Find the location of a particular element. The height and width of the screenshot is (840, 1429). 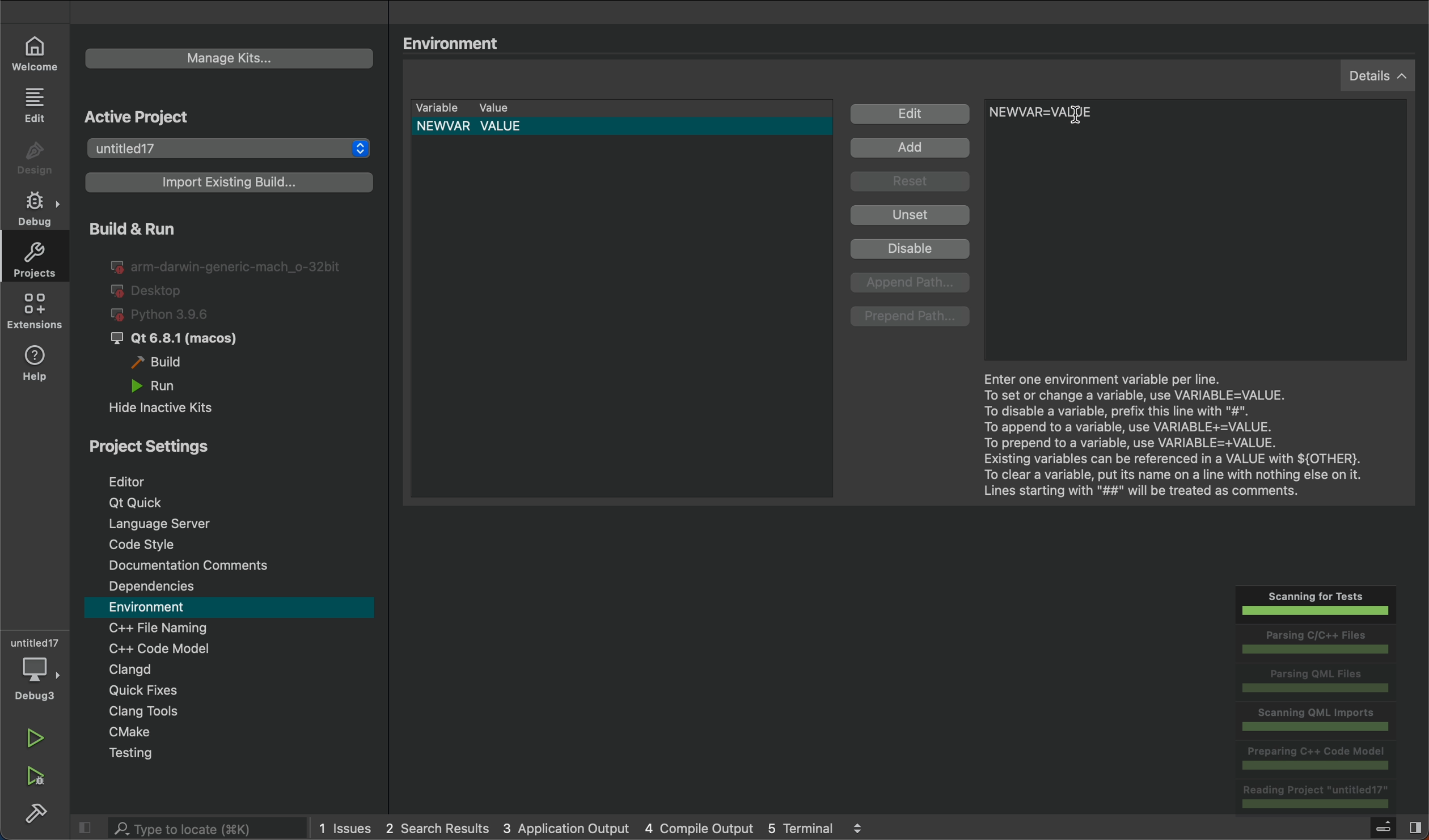

help is located at coordinates (36, 366).